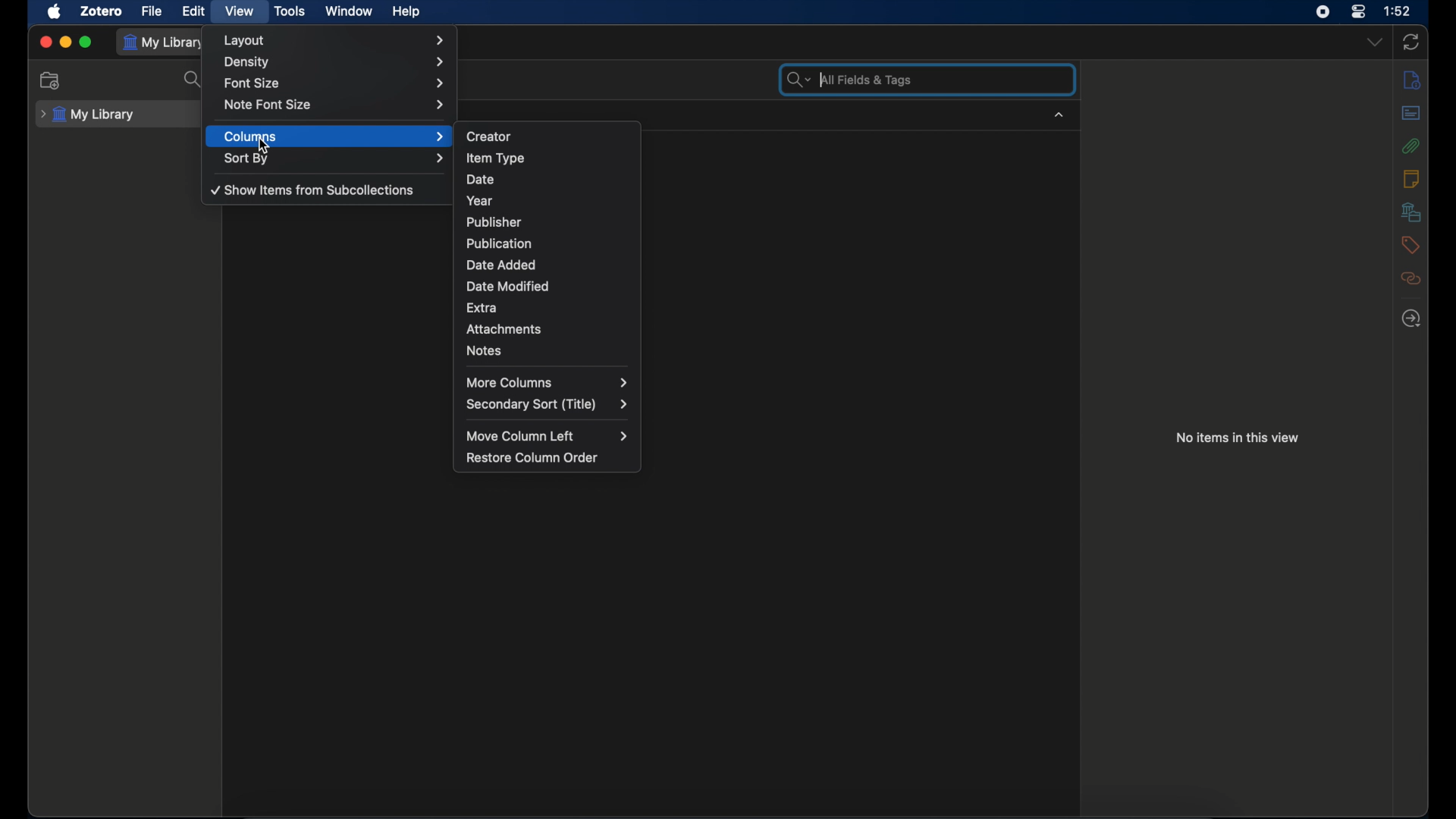 The width and height of the screenshot is (1456, 819). Describe the element at coordinates (484, 350) in the screenshot. I see `notes` at that location.